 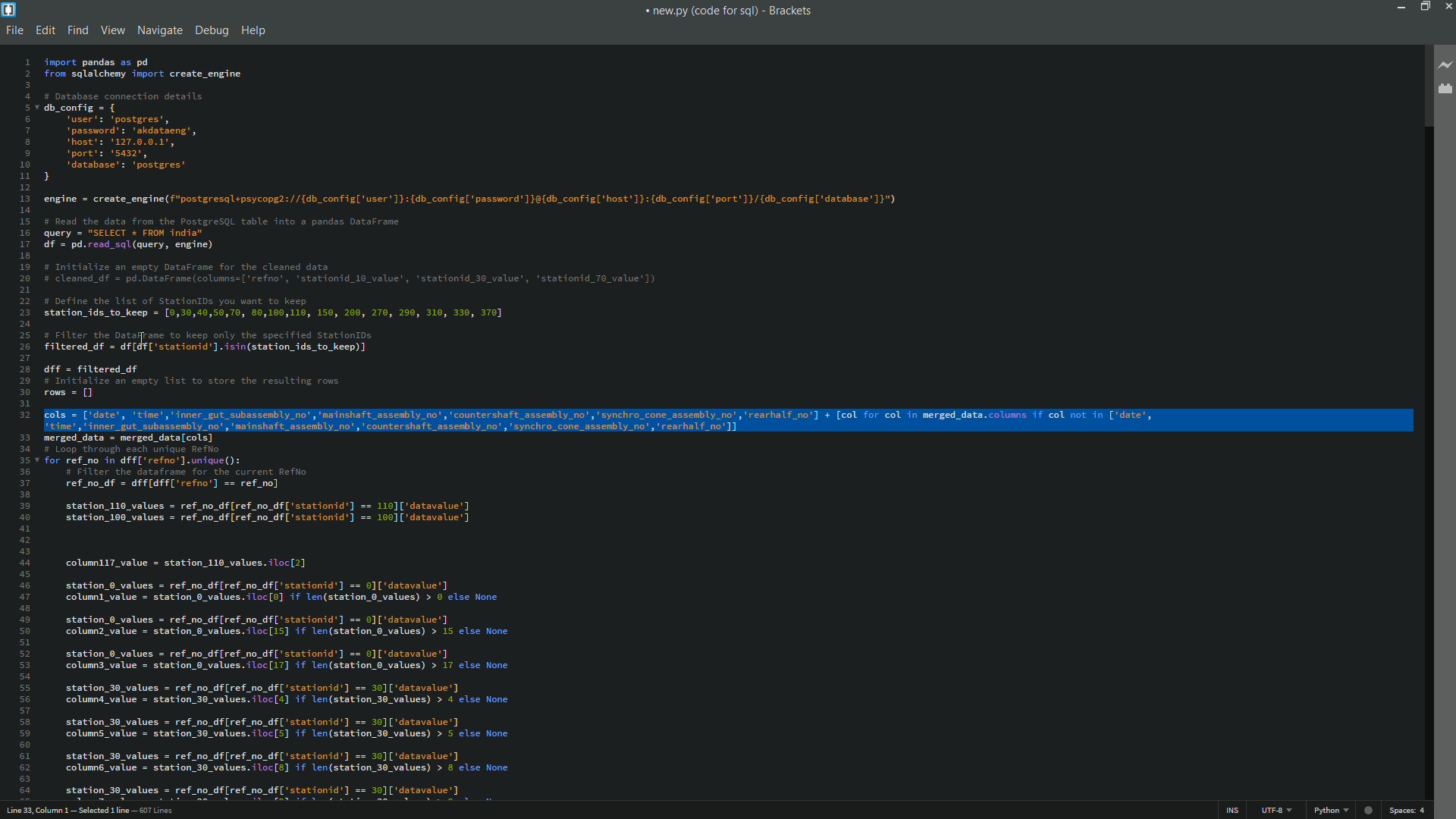 What do you see at coordinates (1443, 67) in the screenshot?
I see `live preview` at bounding box center [1443, 67].